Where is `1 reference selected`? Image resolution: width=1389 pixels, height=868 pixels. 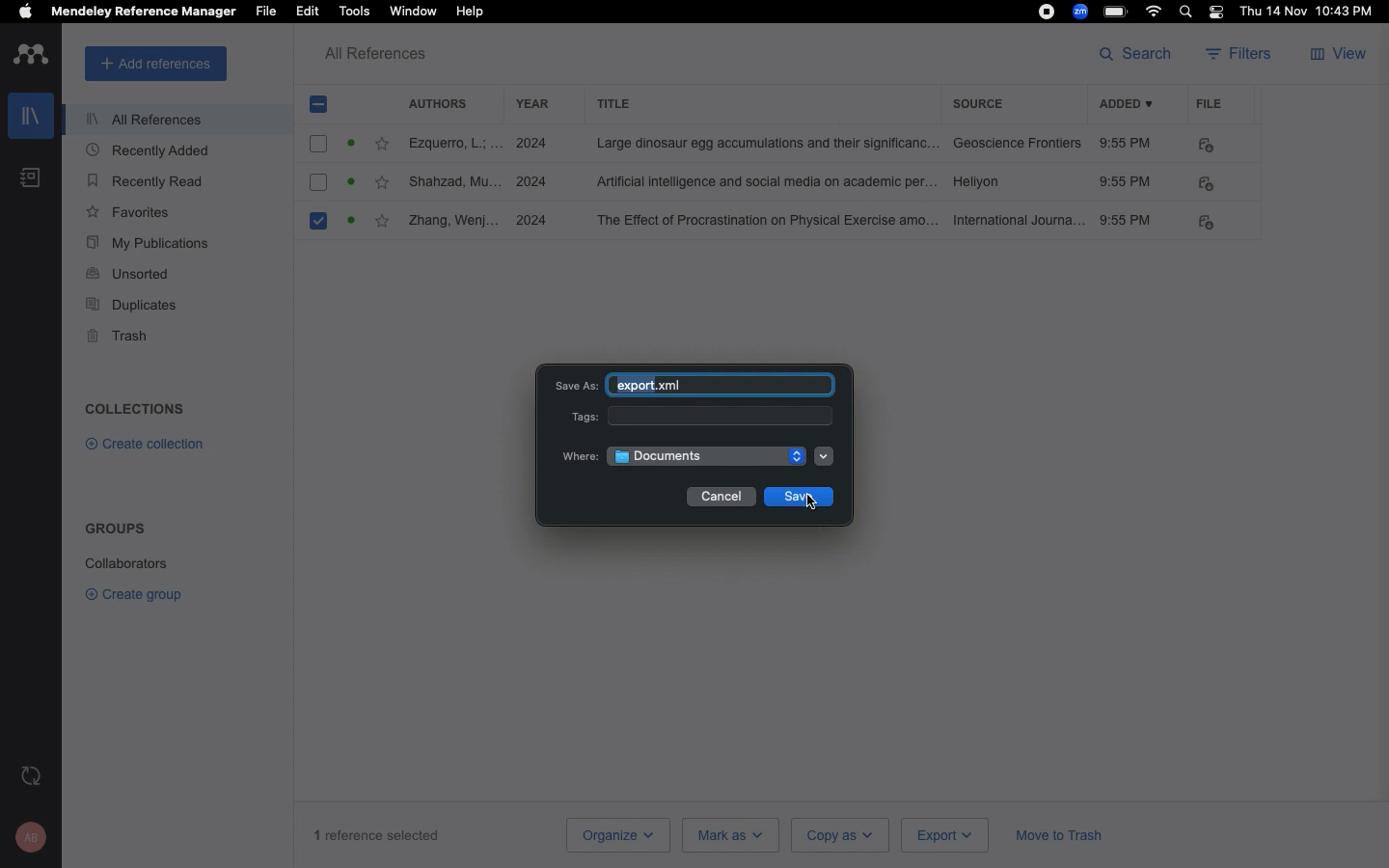 1 reference selected is located at coordinates (377, 834).